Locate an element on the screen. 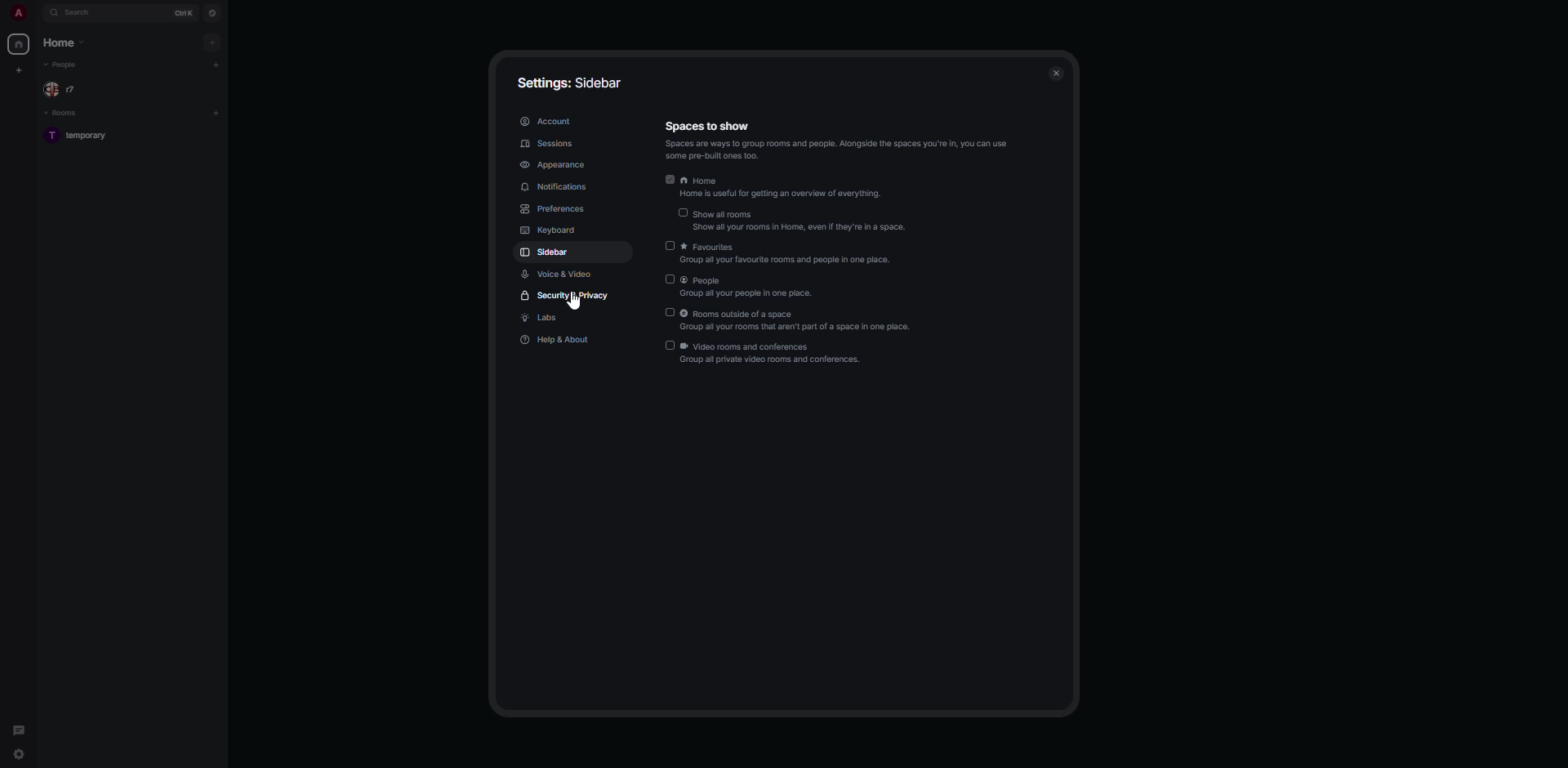 The height and width of the screenshot is (768, 1568). notifications is located at coordinates (559, 187).